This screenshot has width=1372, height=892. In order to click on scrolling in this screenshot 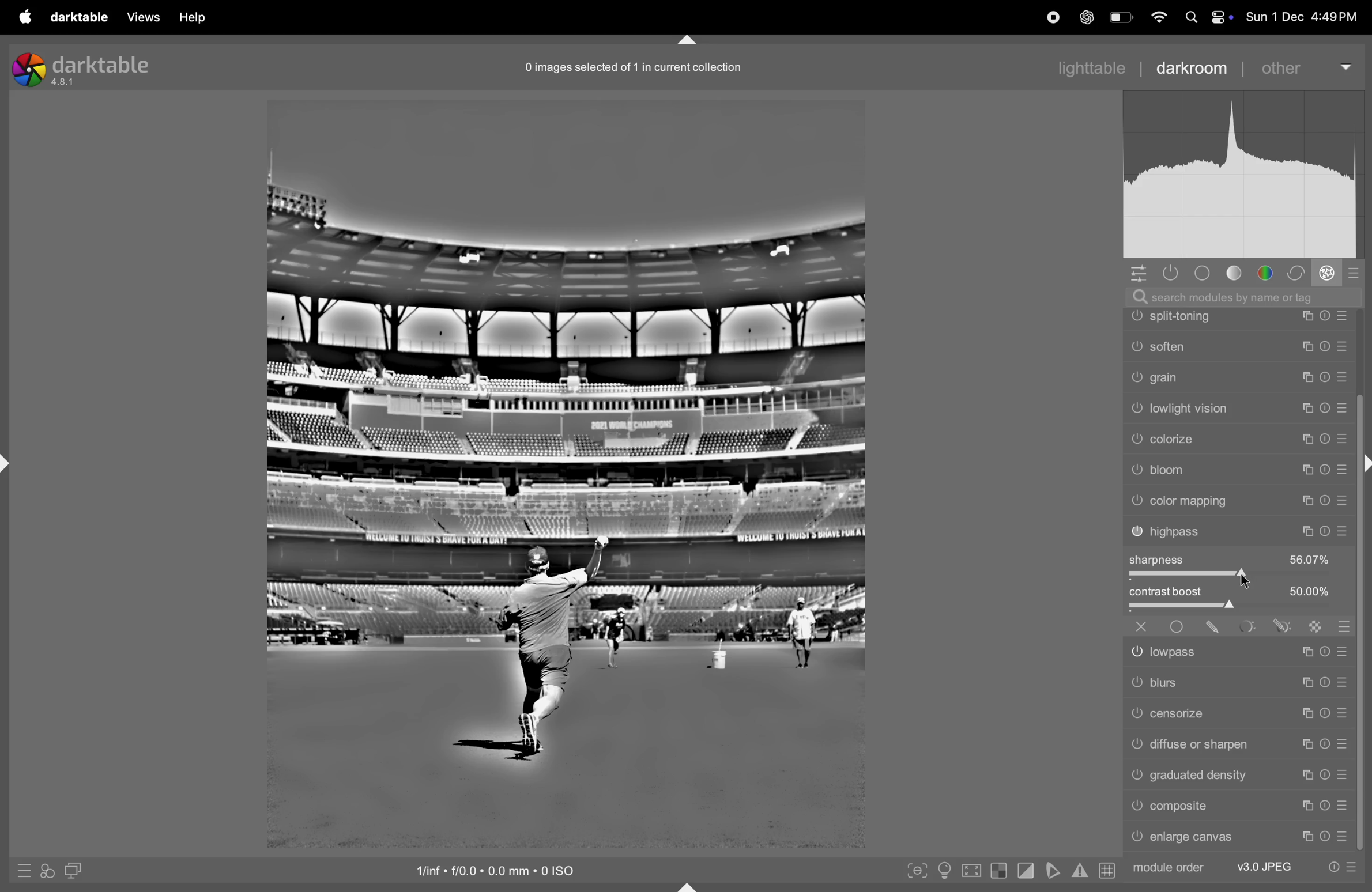, I will do `click(1238, 409)`.